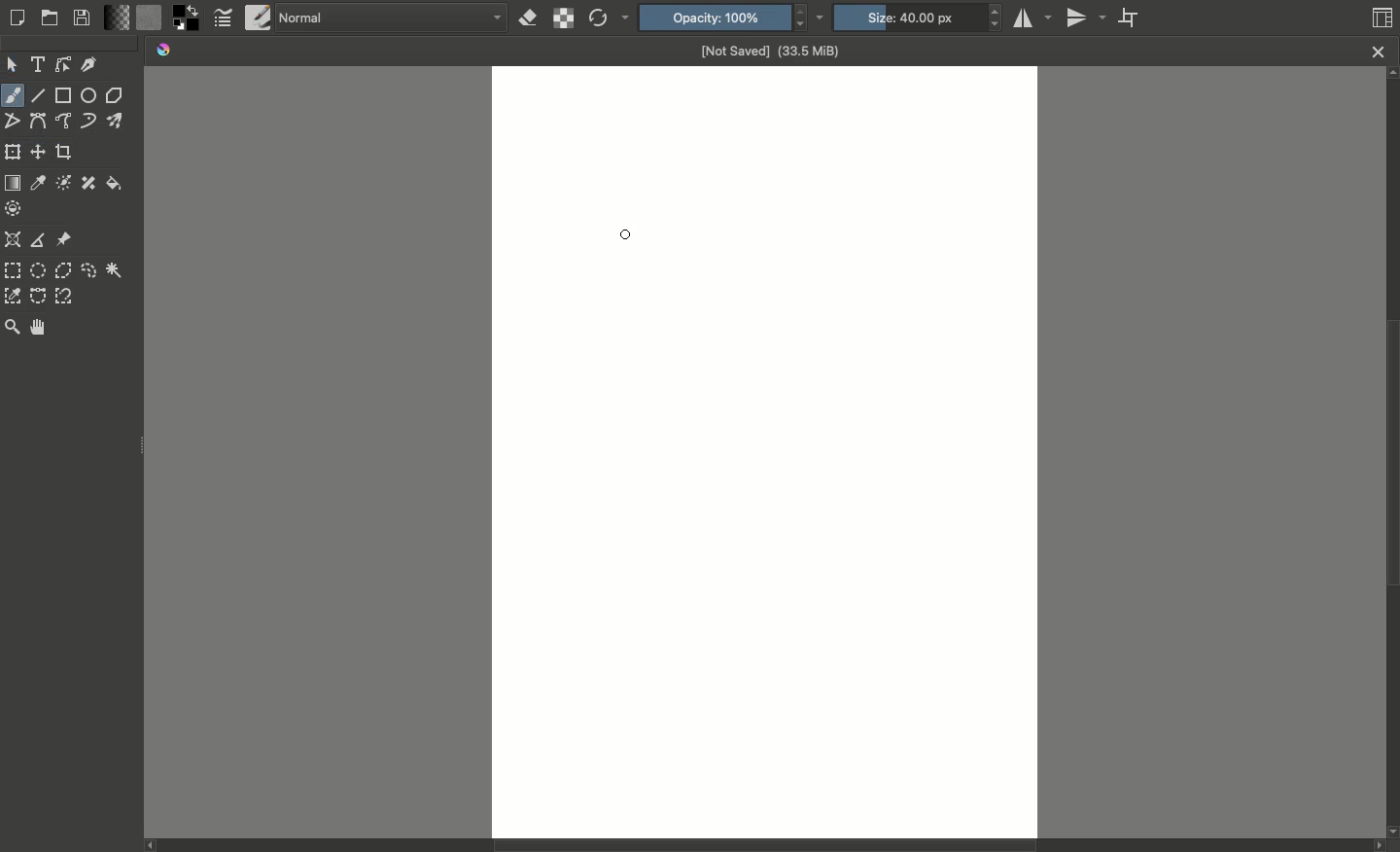 Image resolution: width=1400 pixels, height=852 pixels. I want to click on Sample color, so click(39, 182).